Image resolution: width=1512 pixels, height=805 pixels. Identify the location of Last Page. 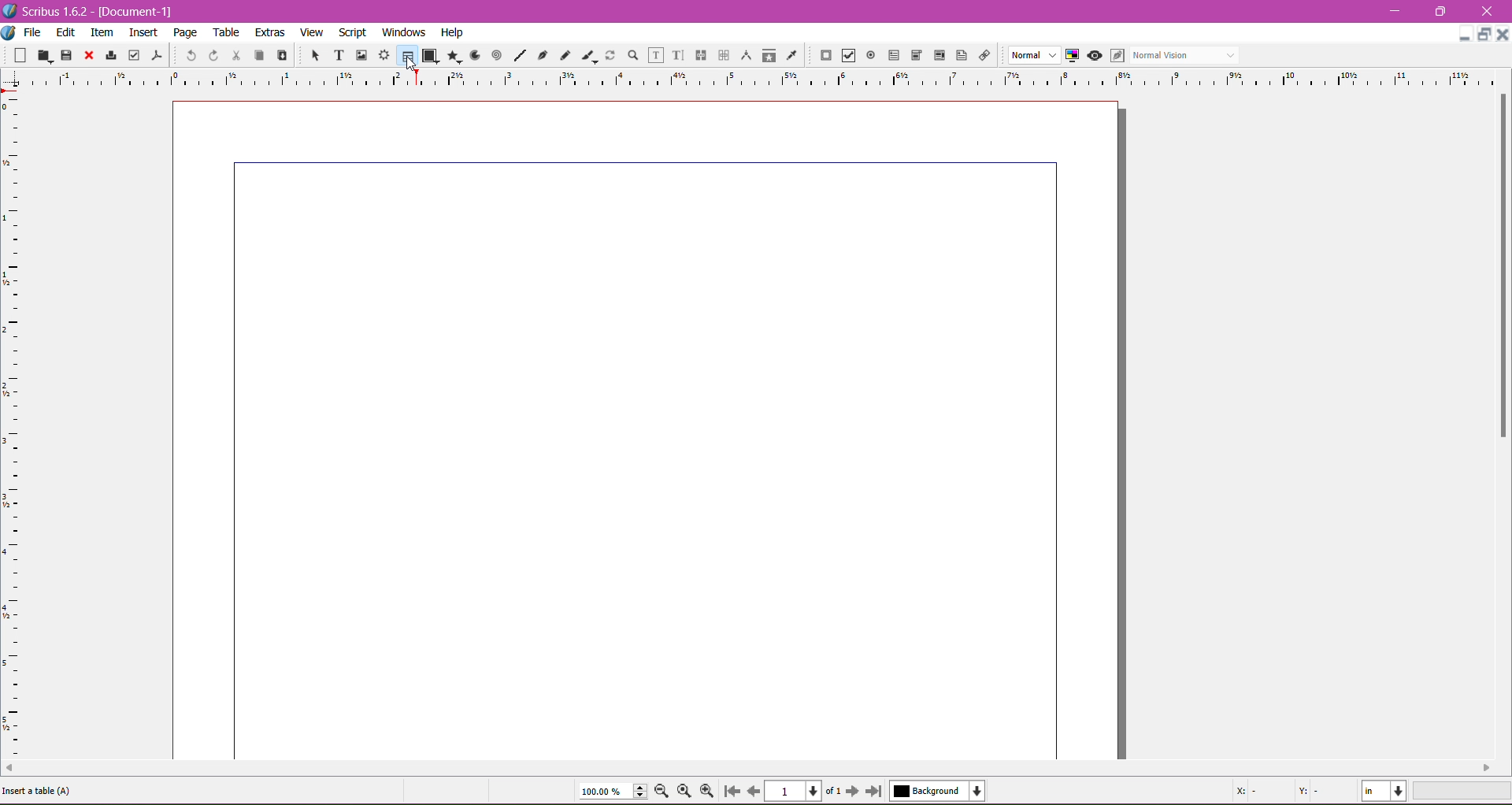
(877, 792).